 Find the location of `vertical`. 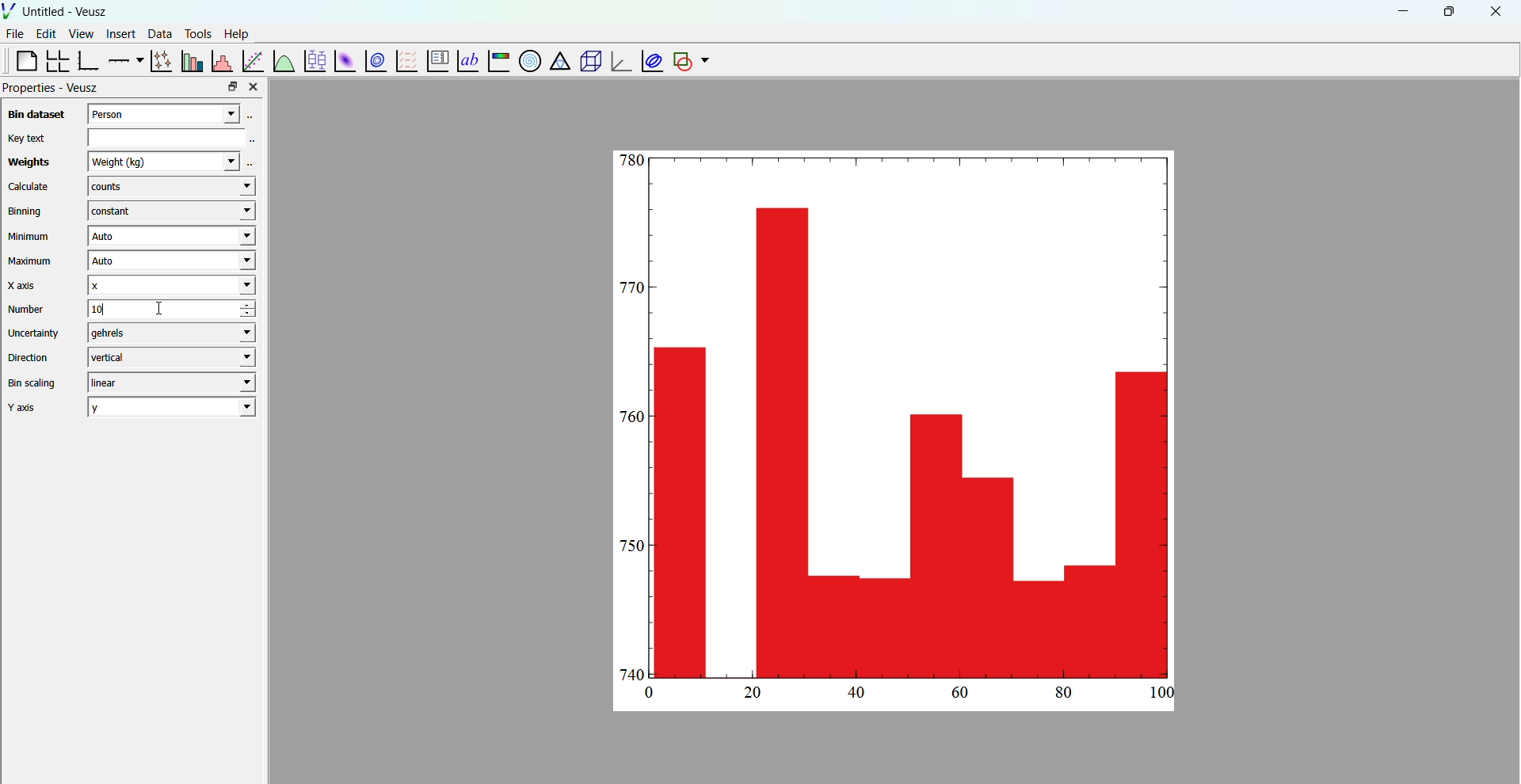

vertical is located at coordinates (170, 356).